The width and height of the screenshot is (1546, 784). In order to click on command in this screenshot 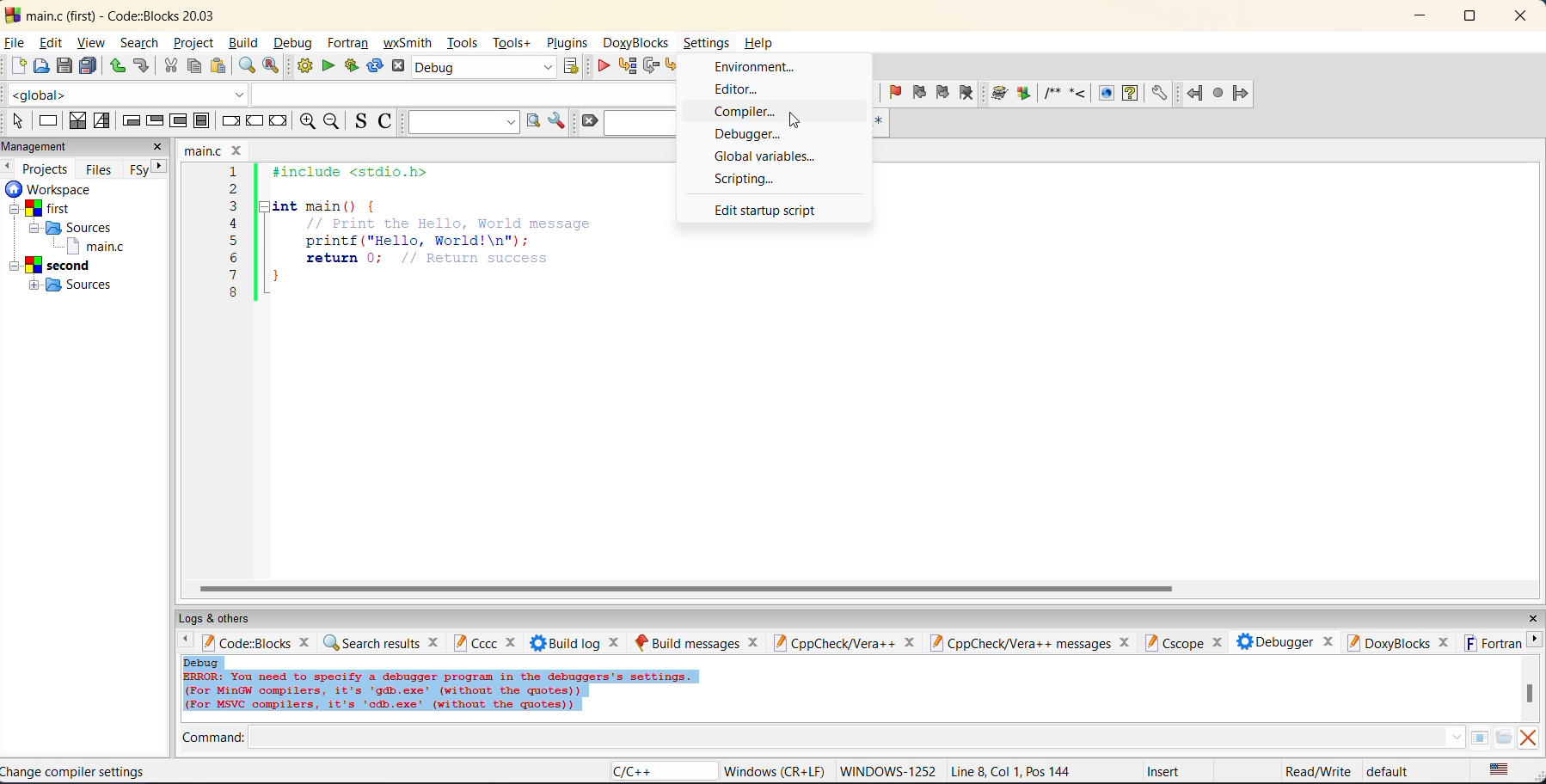, I will do `click(840, 738)`.